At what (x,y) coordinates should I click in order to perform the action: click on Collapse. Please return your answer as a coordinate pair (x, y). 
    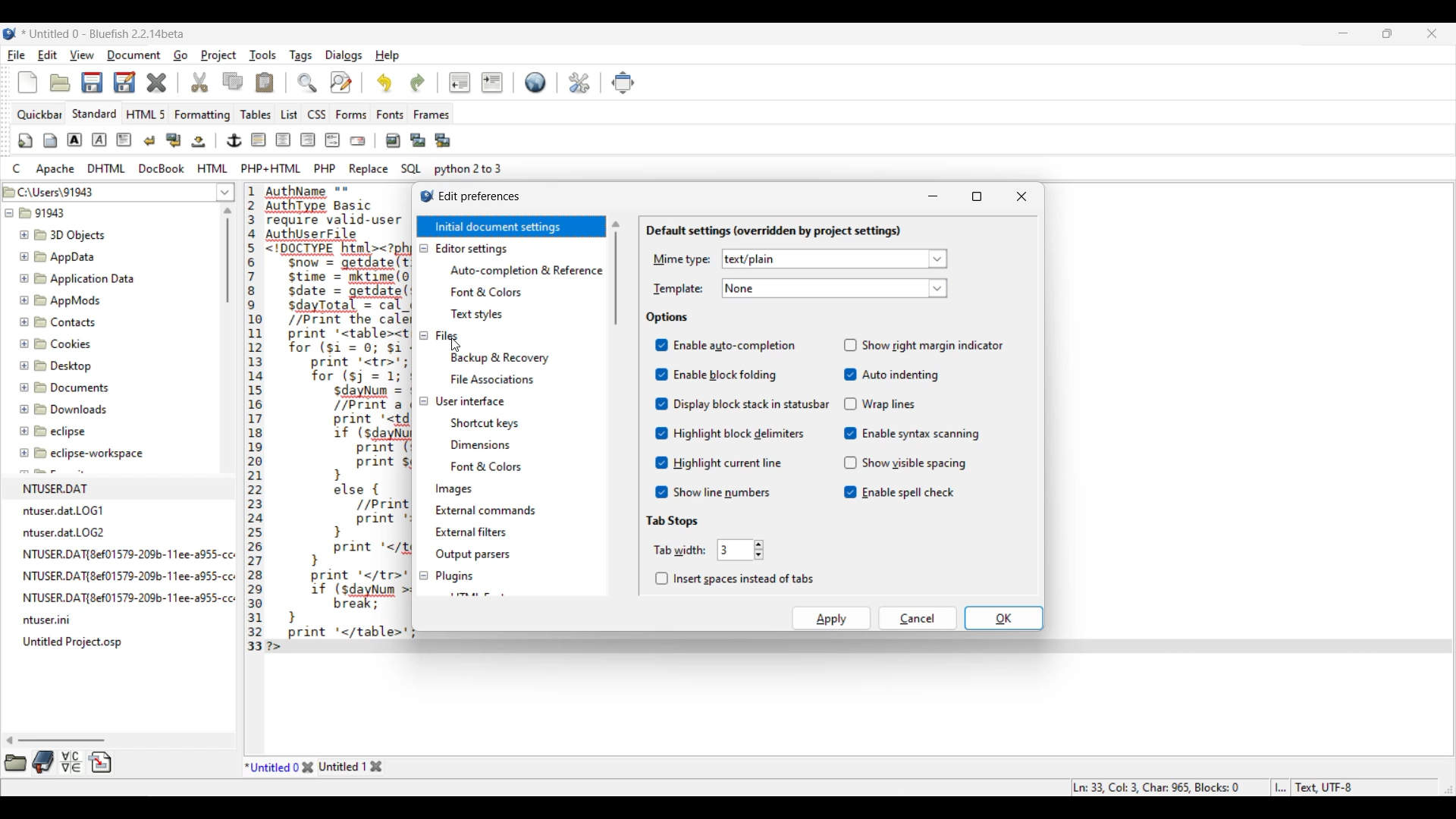
    Looking at the image, I should click on (424, 413).